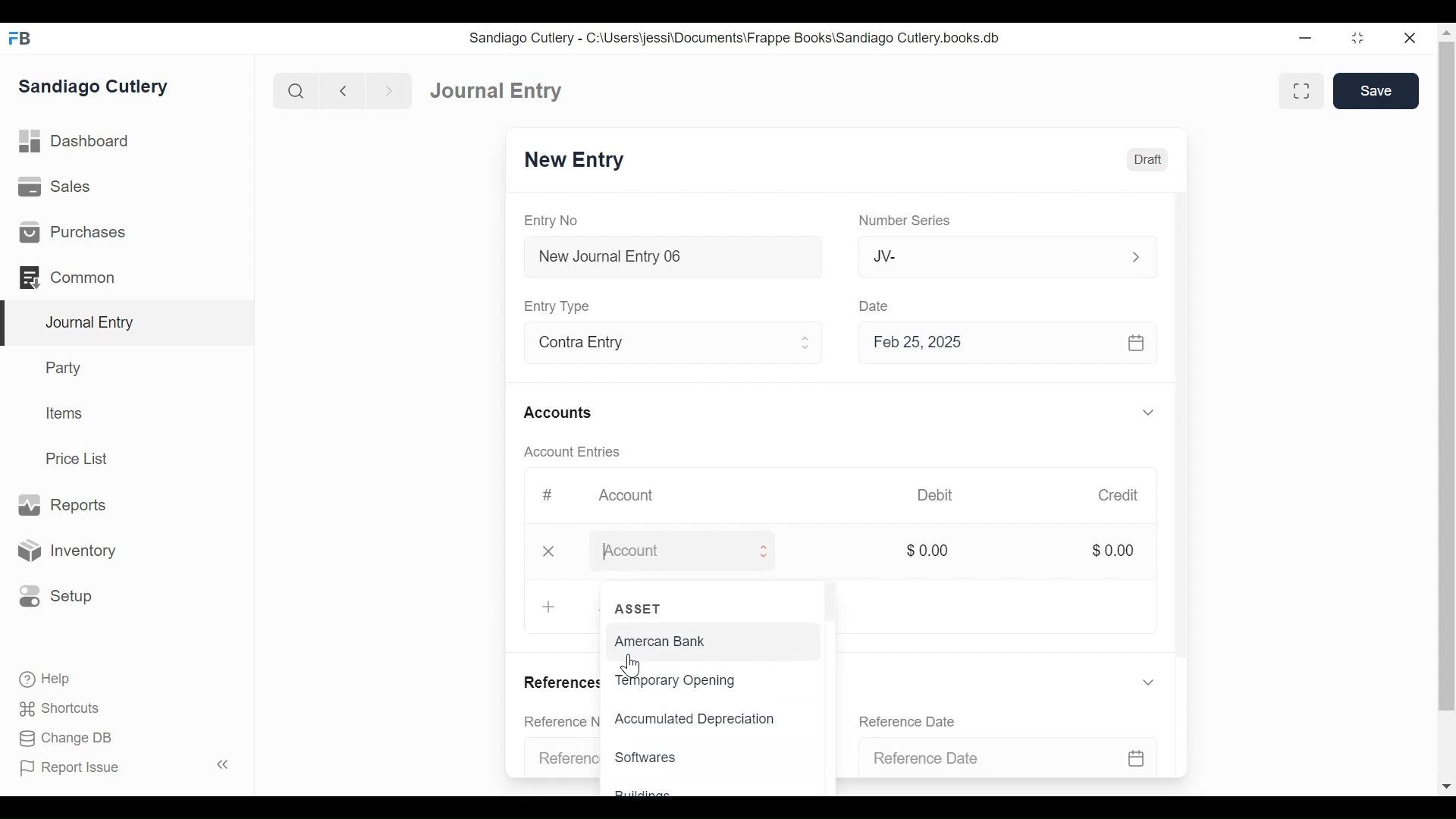  What do you see at coordinates (573, 452) in the screenshot?
I see `Account Entries` at bounding box center [573, 452].